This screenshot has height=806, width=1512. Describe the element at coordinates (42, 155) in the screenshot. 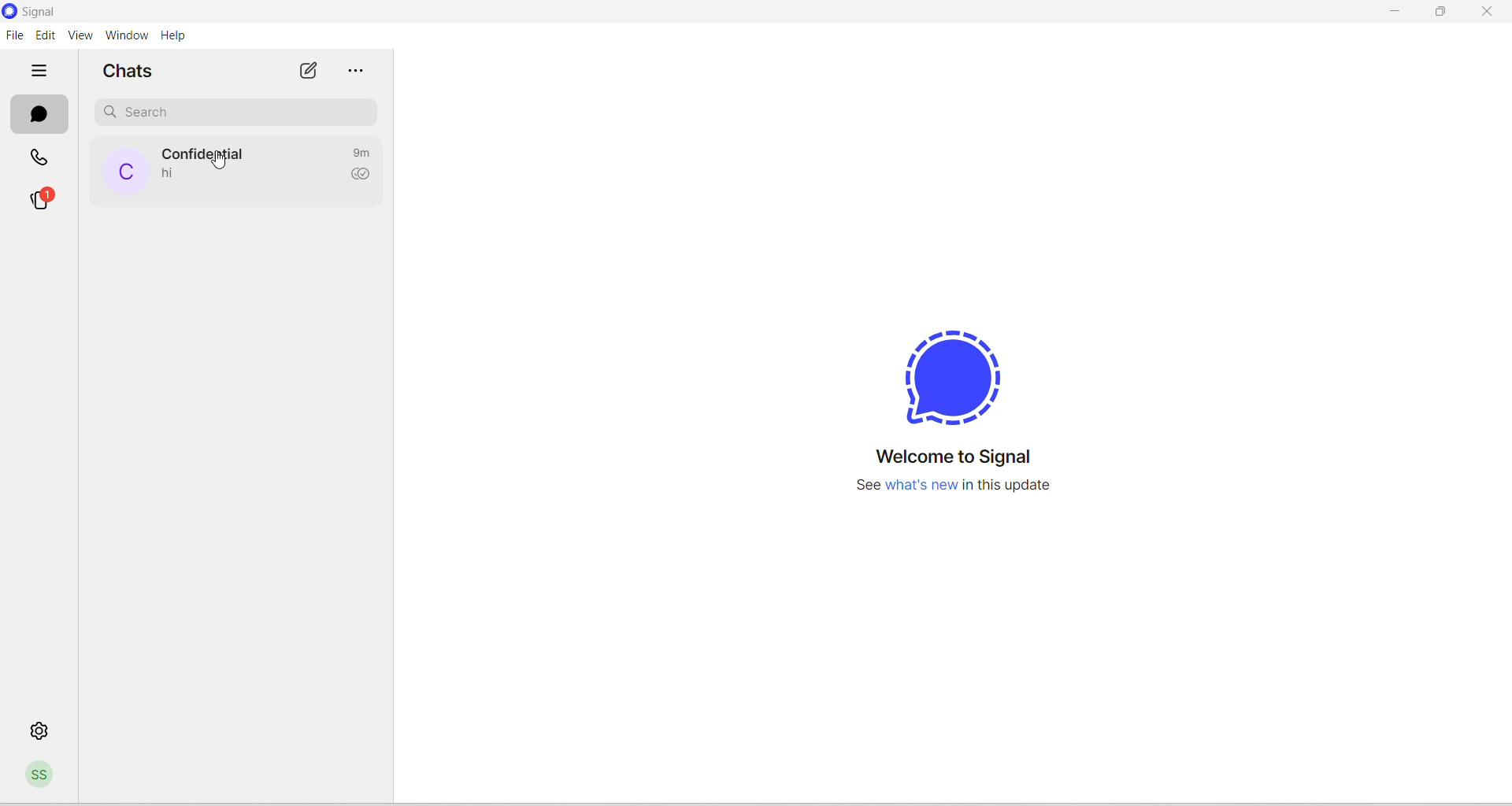

I see `calls` at that location.